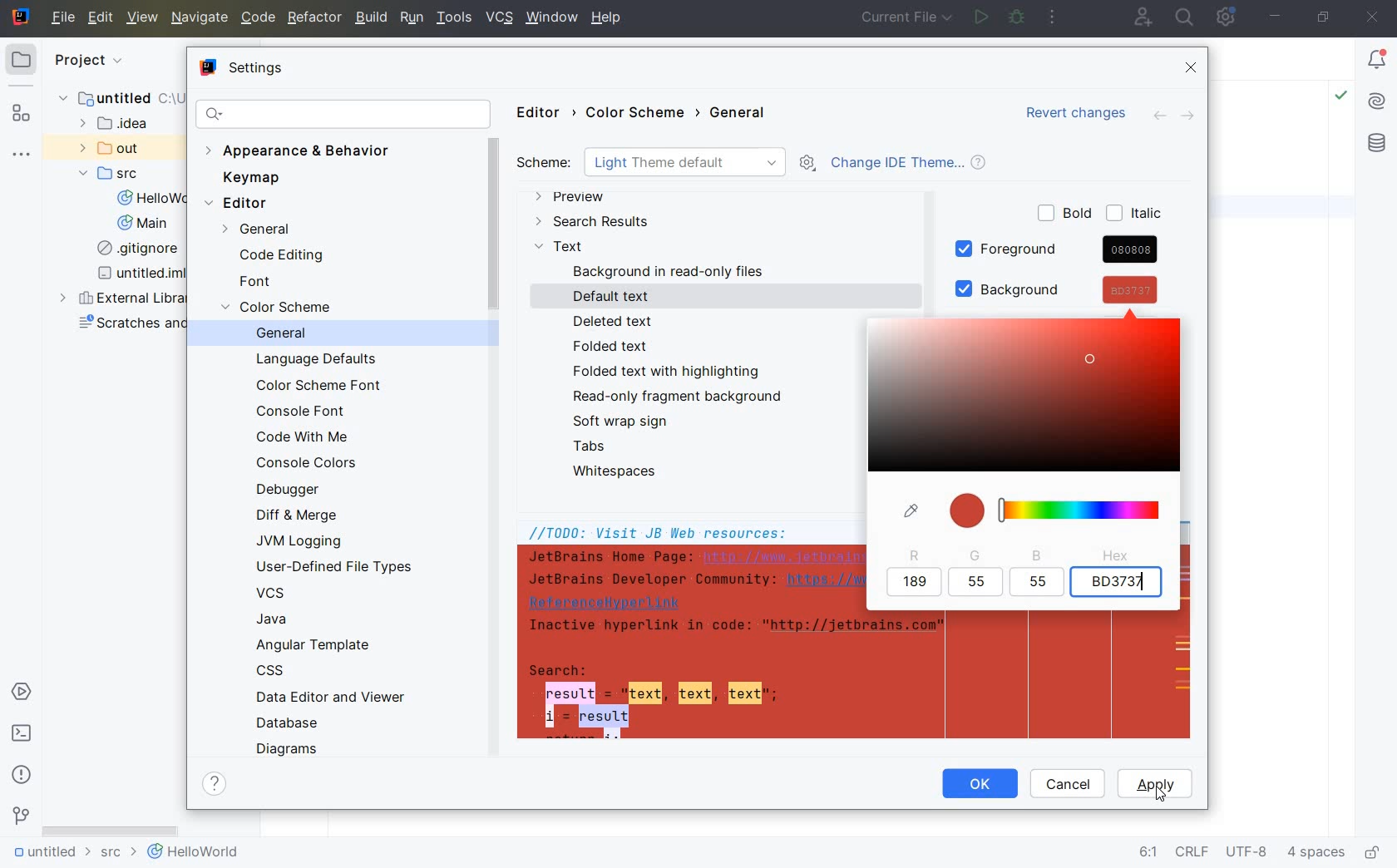  Describe the element at coordinates (193, 855) in the screenshot. I see `helloworld` at that location.